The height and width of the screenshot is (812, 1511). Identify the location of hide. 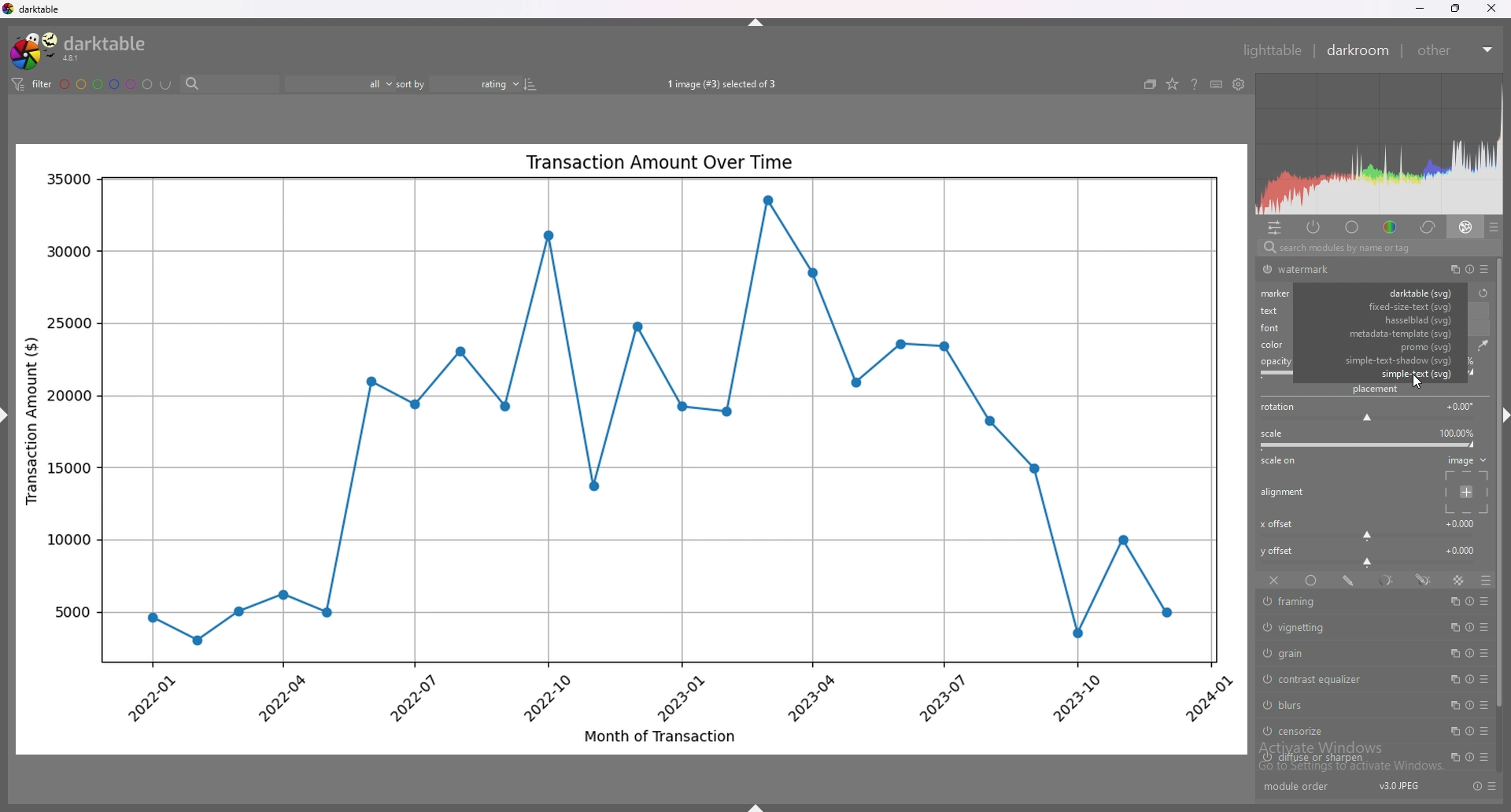
(755, 806).